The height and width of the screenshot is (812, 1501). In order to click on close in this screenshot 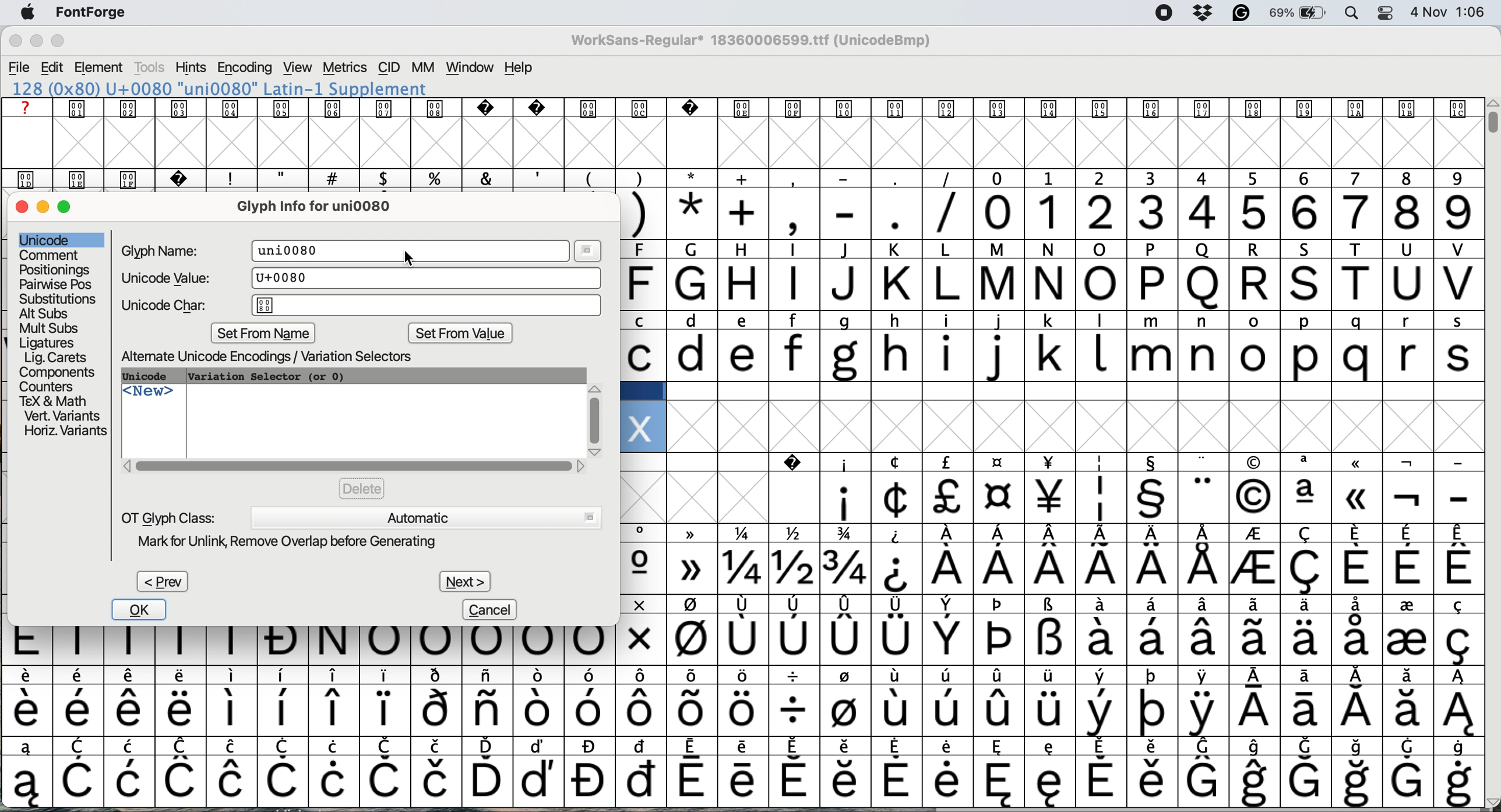, I will do `click(15, 43)`.